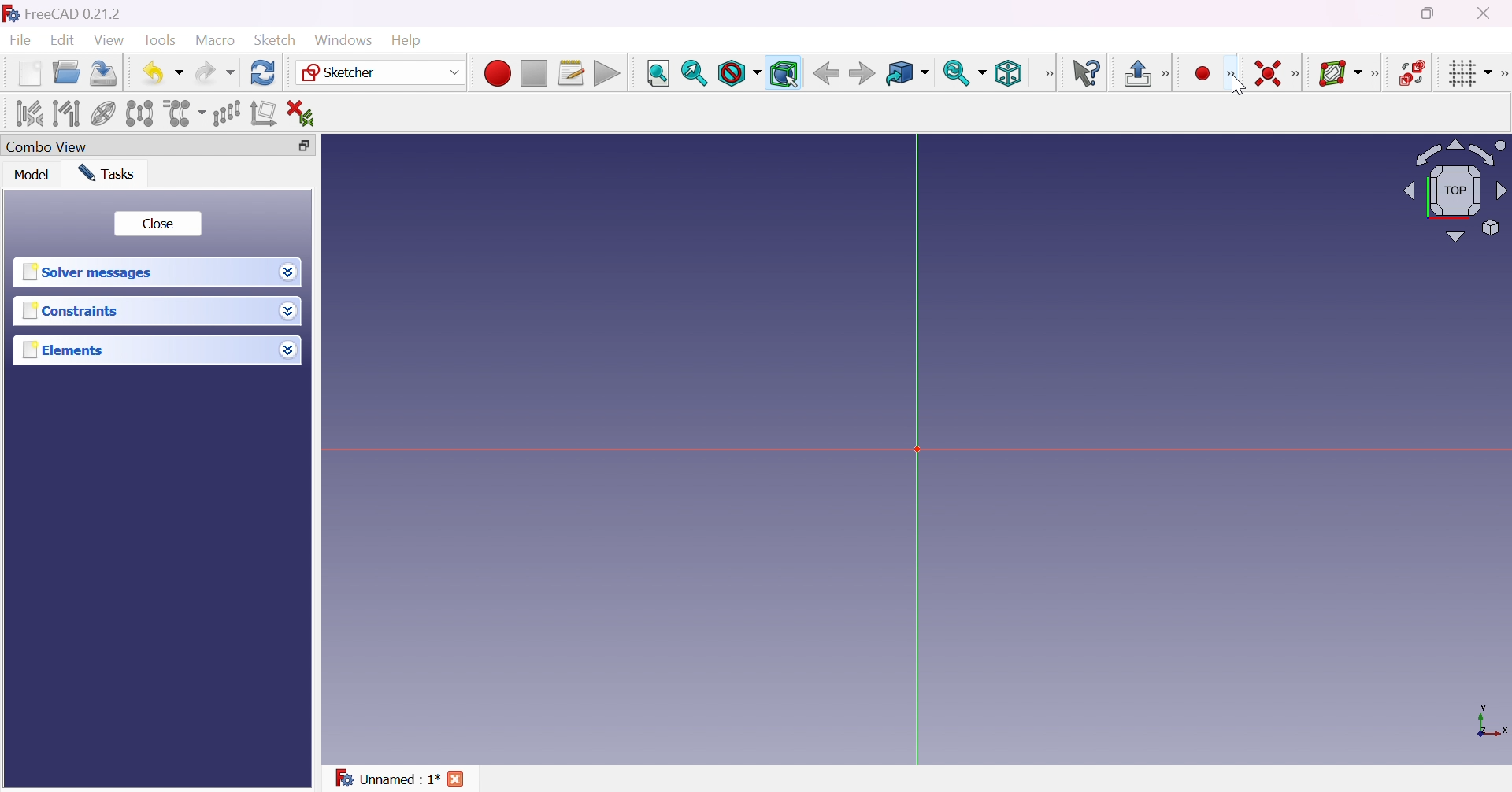  Describe the element at coordinates (31, 113) in the screenshot. I see `Select associated constraints` at that location.